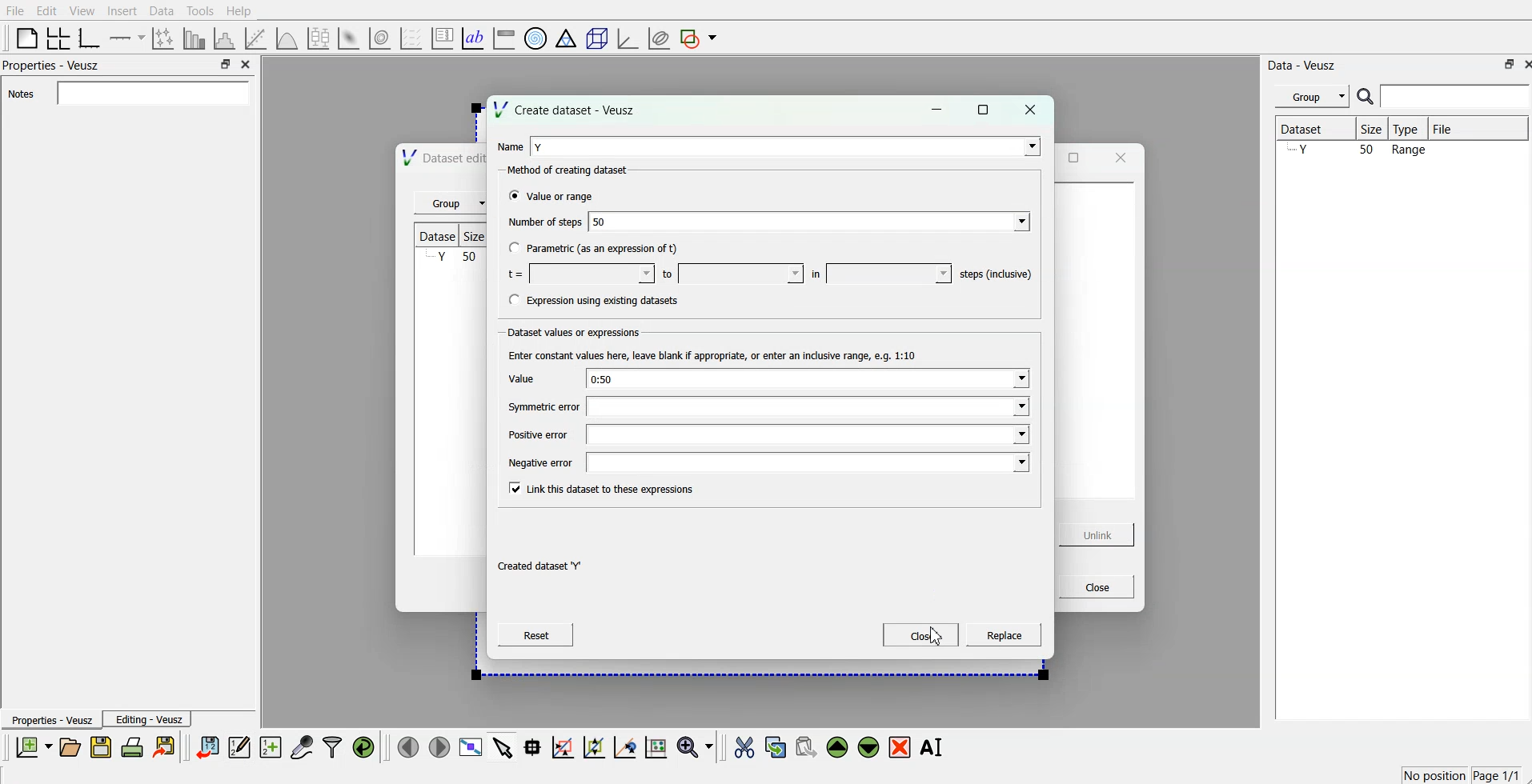  Describe the element at coordinates (816, 274) in the screenshot. I see `in` at that location.